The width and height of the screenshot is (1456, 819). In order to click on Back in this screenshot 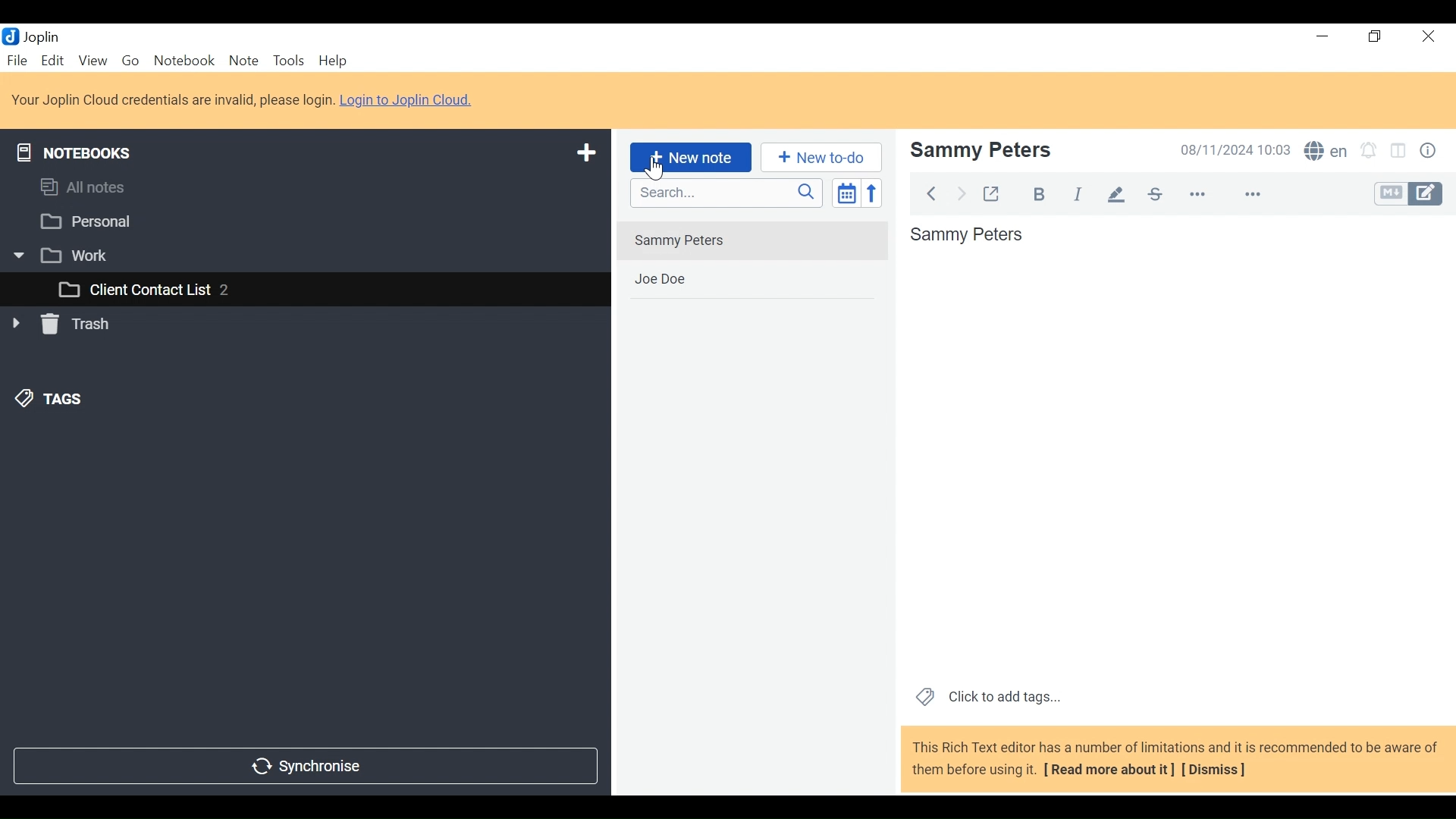, I will do `click(934, 193)`.